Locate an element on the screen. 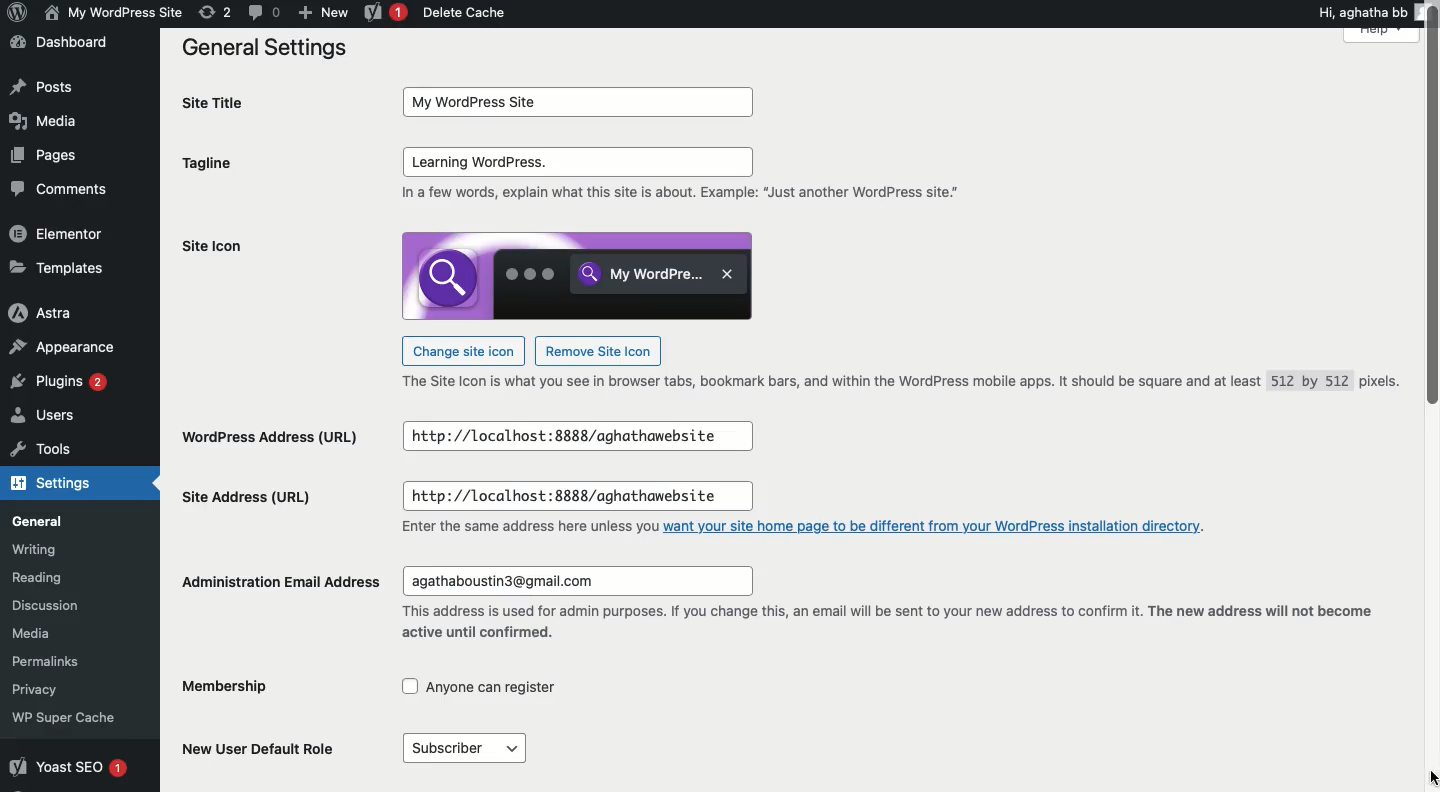 The height and width of the screenshot is (792, 1440). Remove site icon is located at coordinates (599, 352).